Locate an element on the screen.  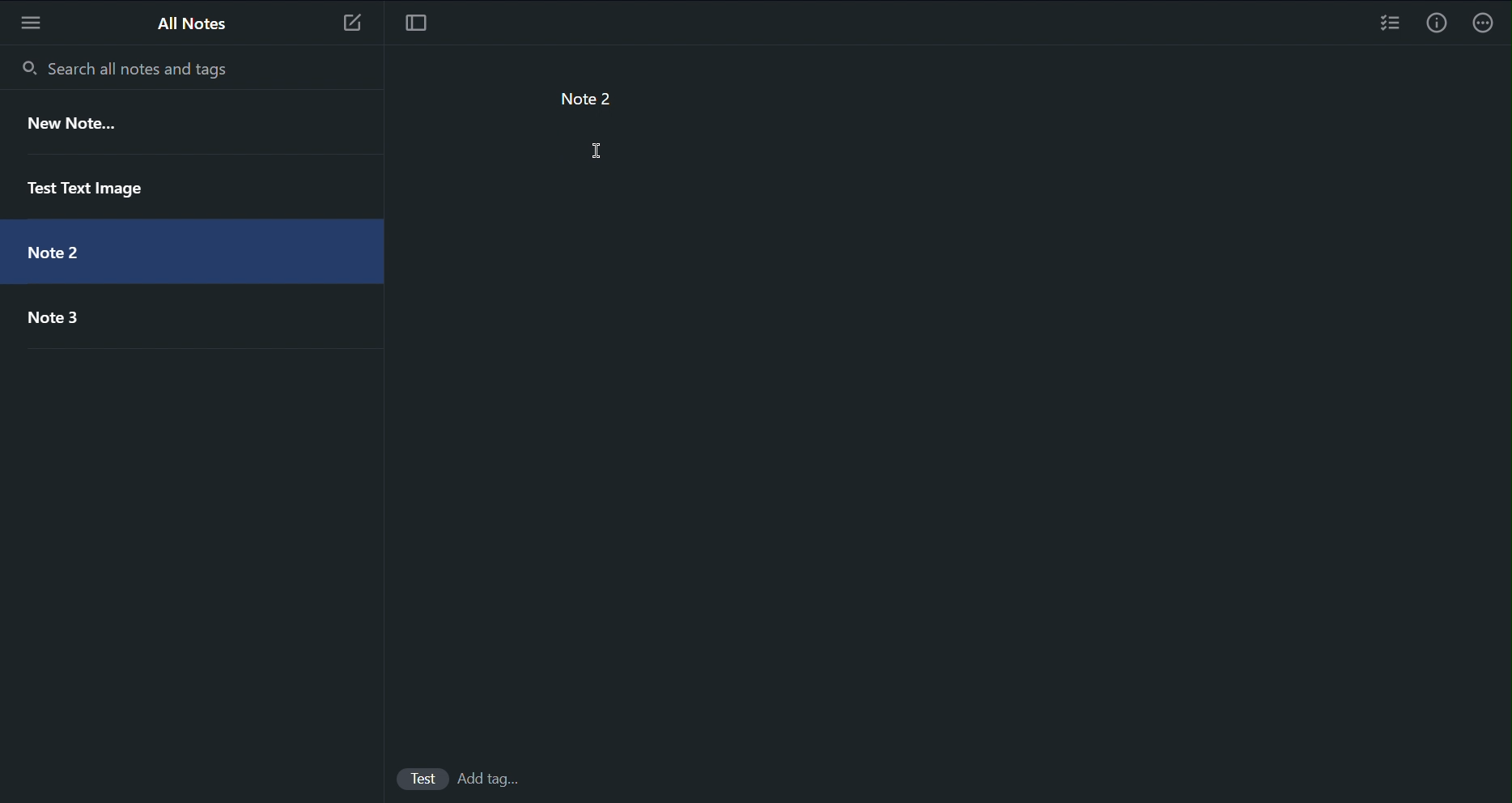
More is located at coordinates (1489, 23).